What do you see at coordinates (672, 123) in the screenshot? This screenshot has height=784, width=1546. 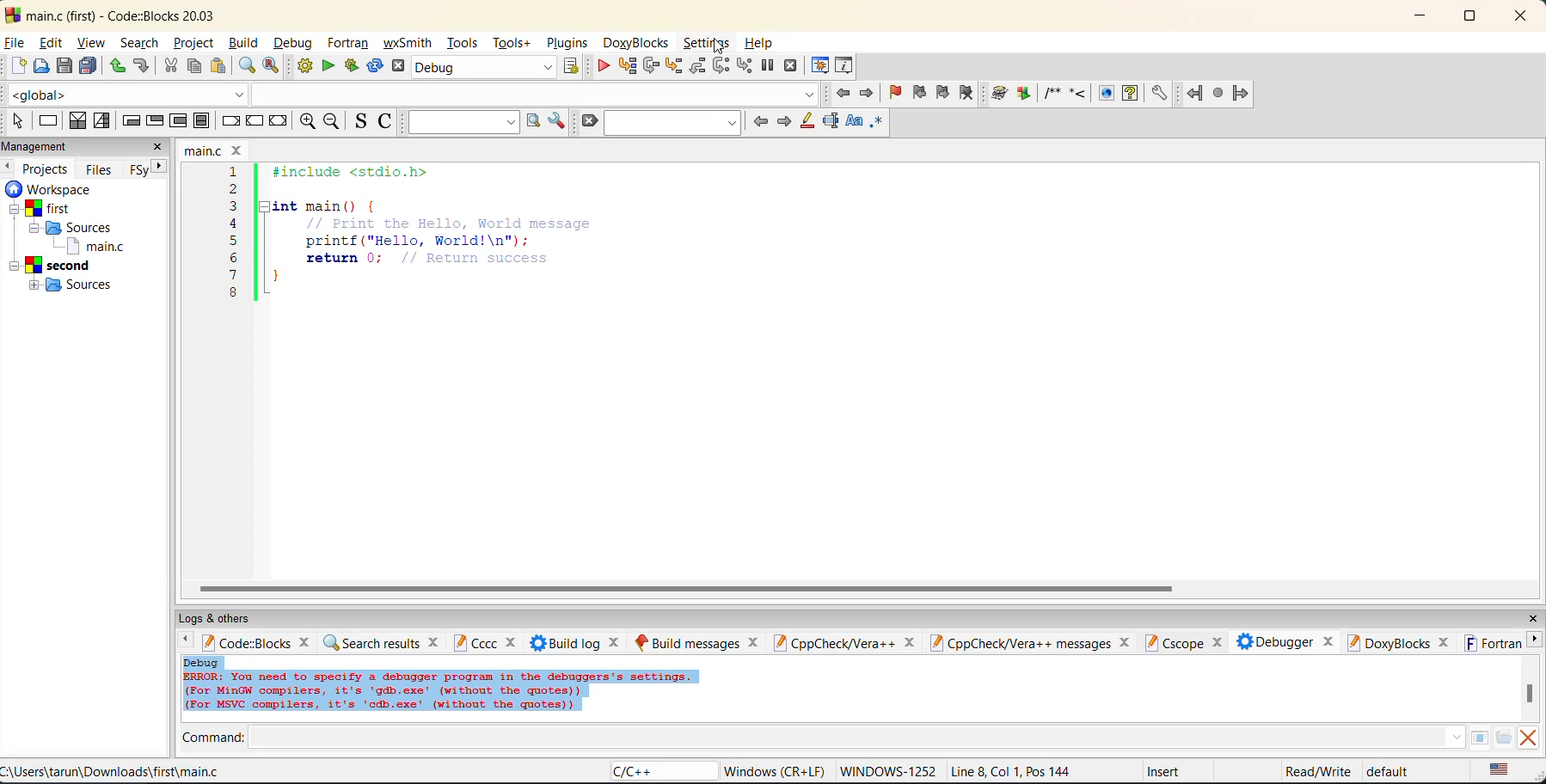 I see `find` at bounding box center [672, 123].